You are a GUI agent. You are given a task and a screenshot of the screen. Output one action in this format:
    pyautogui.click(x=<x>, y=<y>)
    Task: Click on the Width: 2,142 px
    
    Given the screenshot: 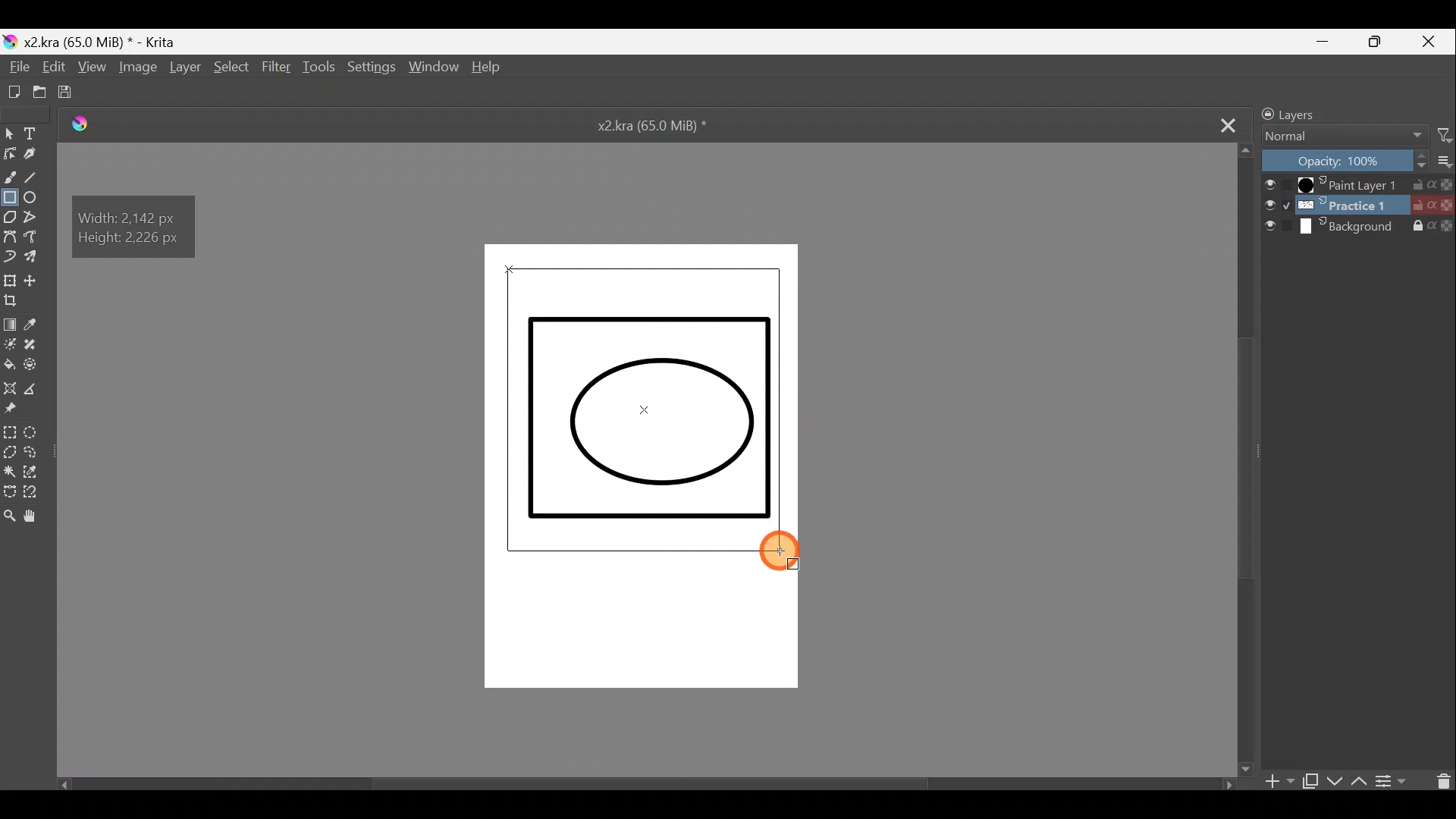 What is the action you would take?
    pyautogui.click(x=131, y=213)
    